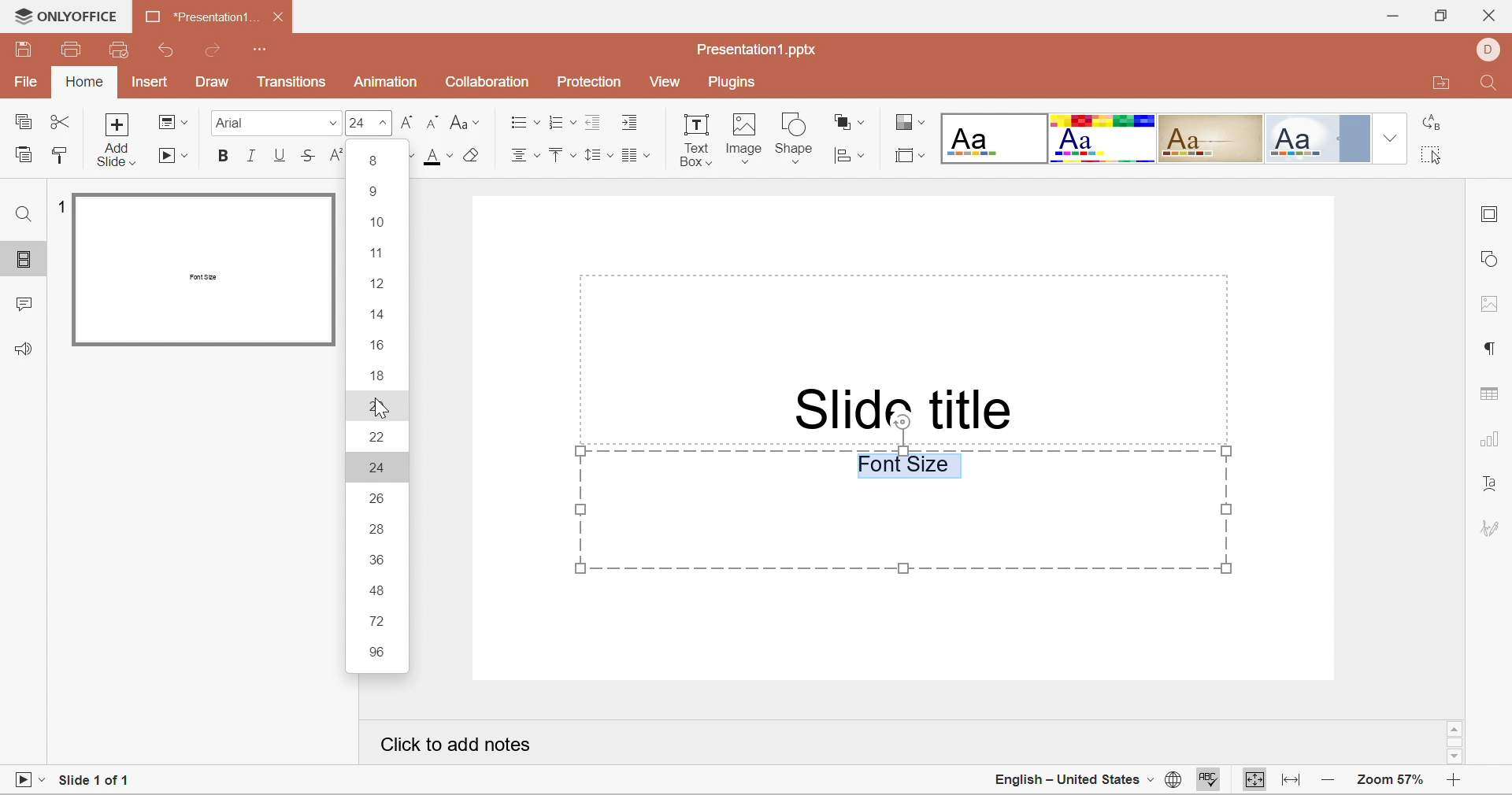  I want to click on Change slide layout, so click(173, 121).